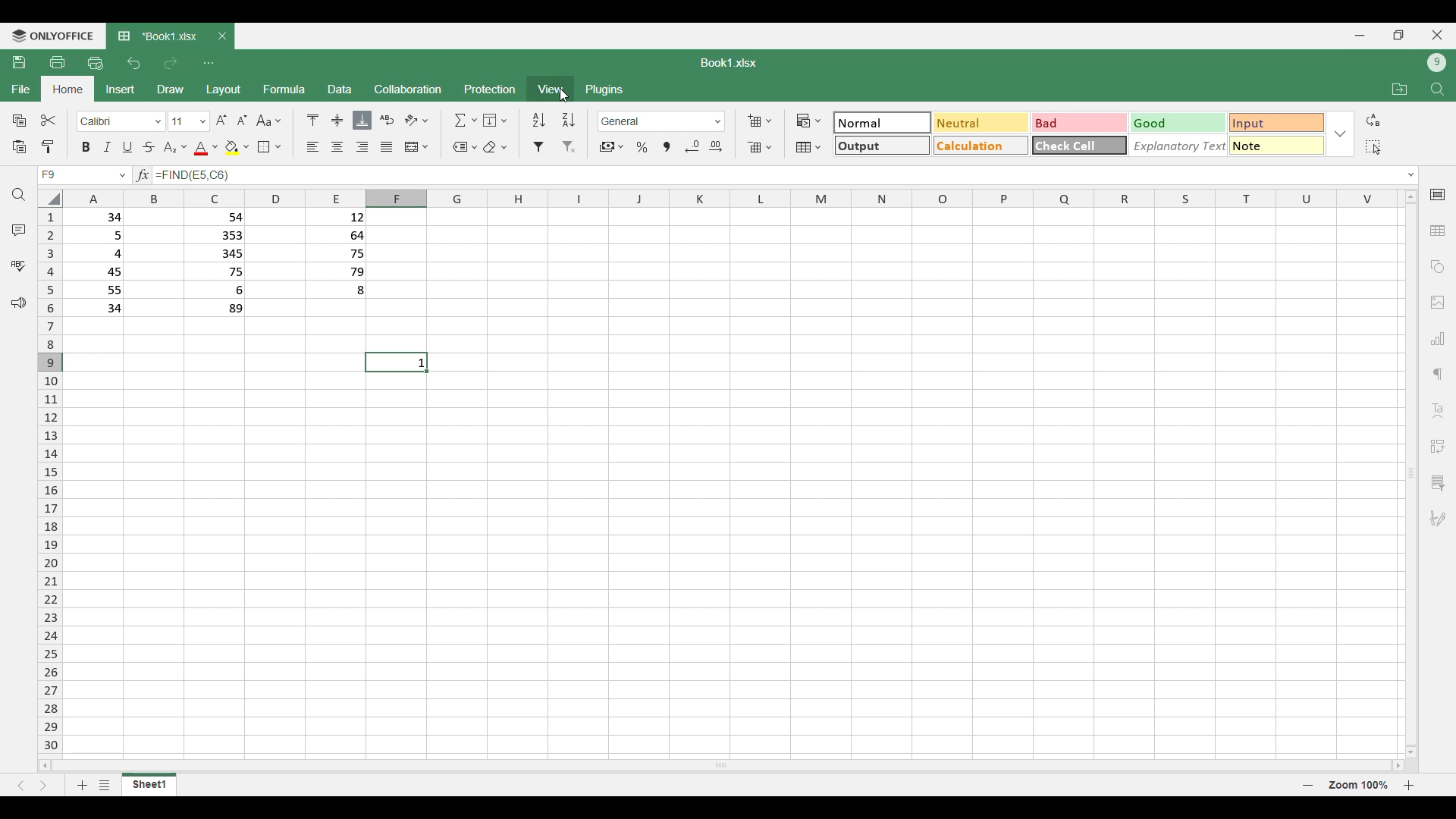 The height and width of the screenshot is (819, 1456). Describe the element at coordinates (717, 146) in the screenshot. I see `Increase decimal` at that location.